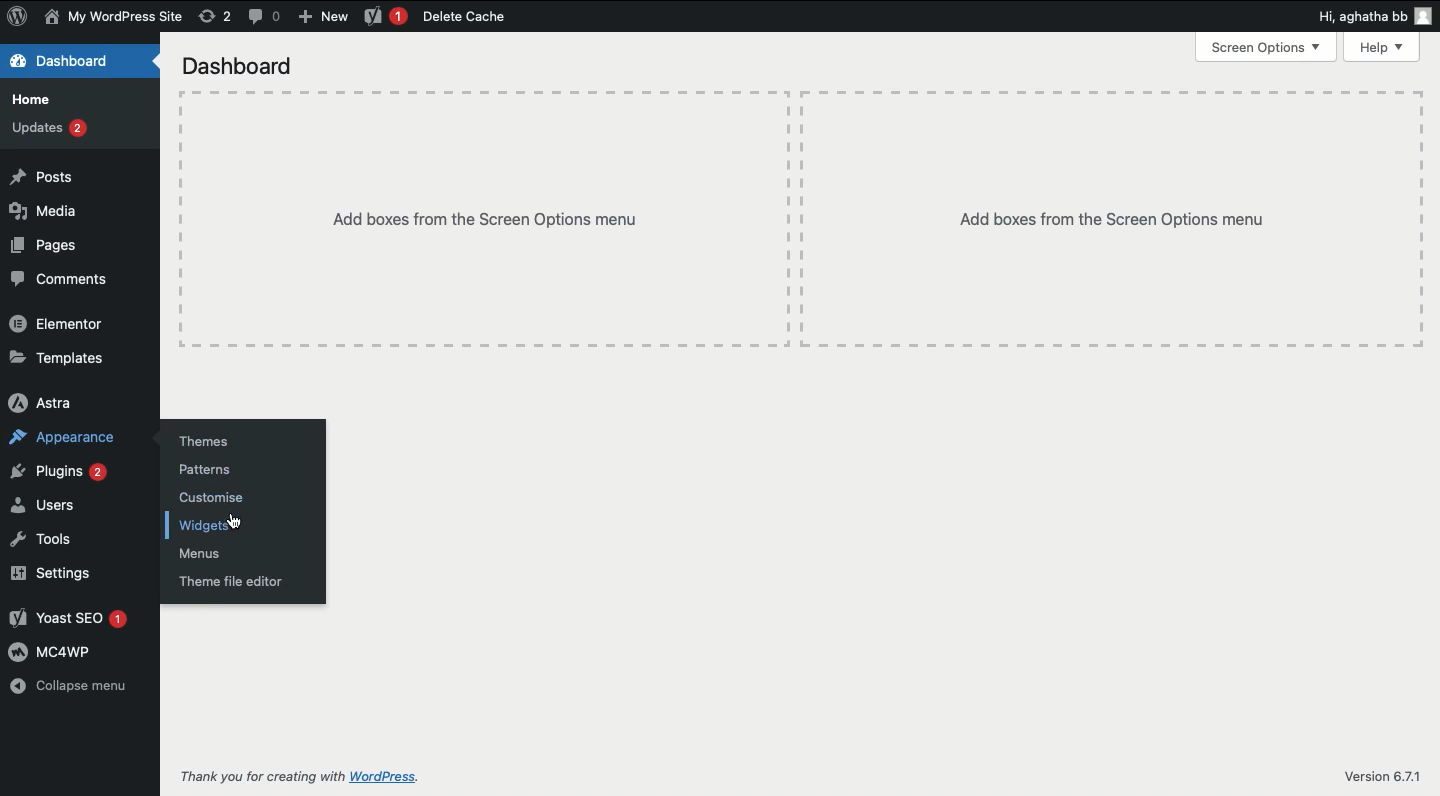  What do you see at coordinates (69, 61) in the screenshot?
I see `Dashboard` at bounding box center [69, 61].